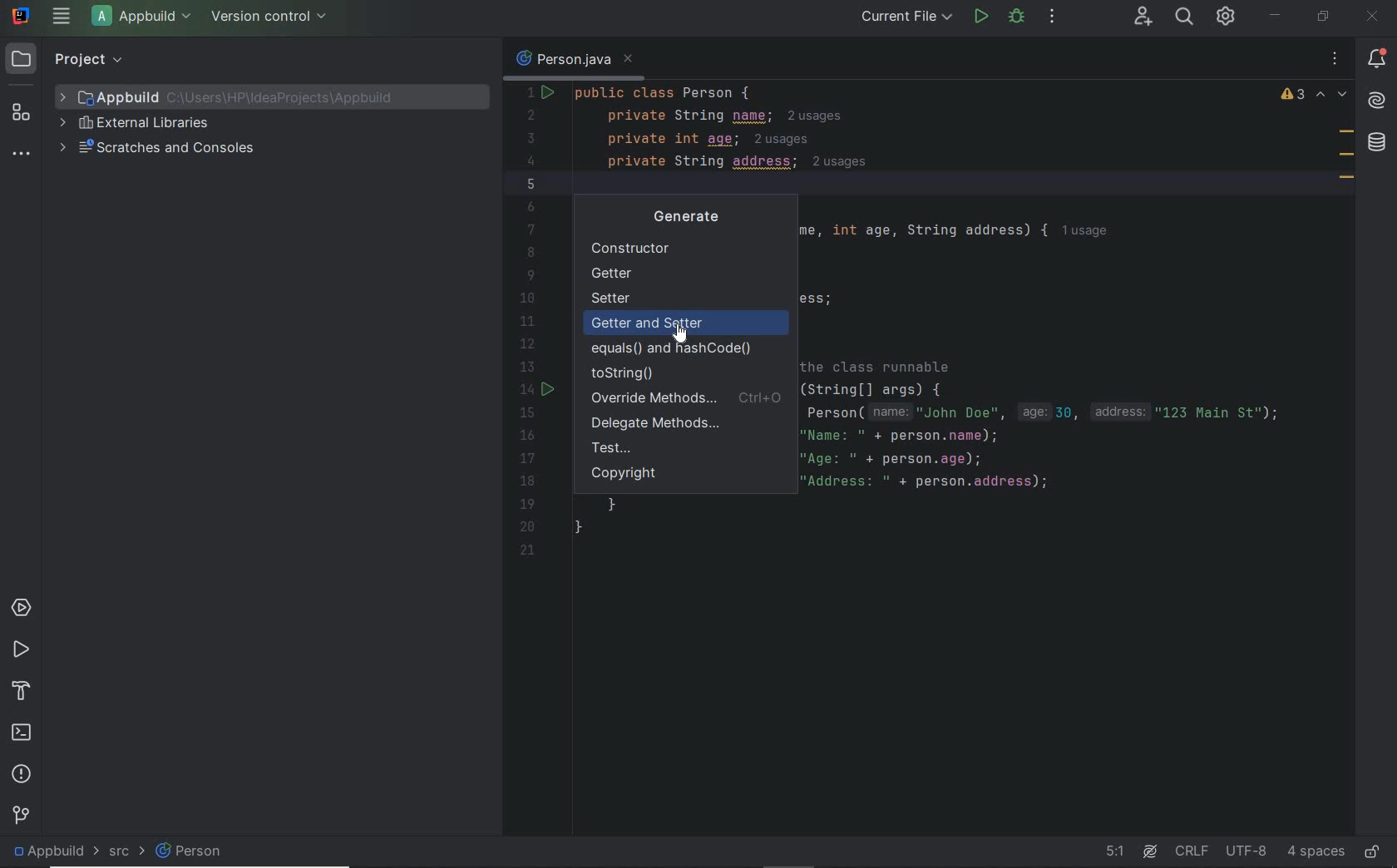 This screenshot has width=1397, height=868. I want to click on run, so click(19, 648).